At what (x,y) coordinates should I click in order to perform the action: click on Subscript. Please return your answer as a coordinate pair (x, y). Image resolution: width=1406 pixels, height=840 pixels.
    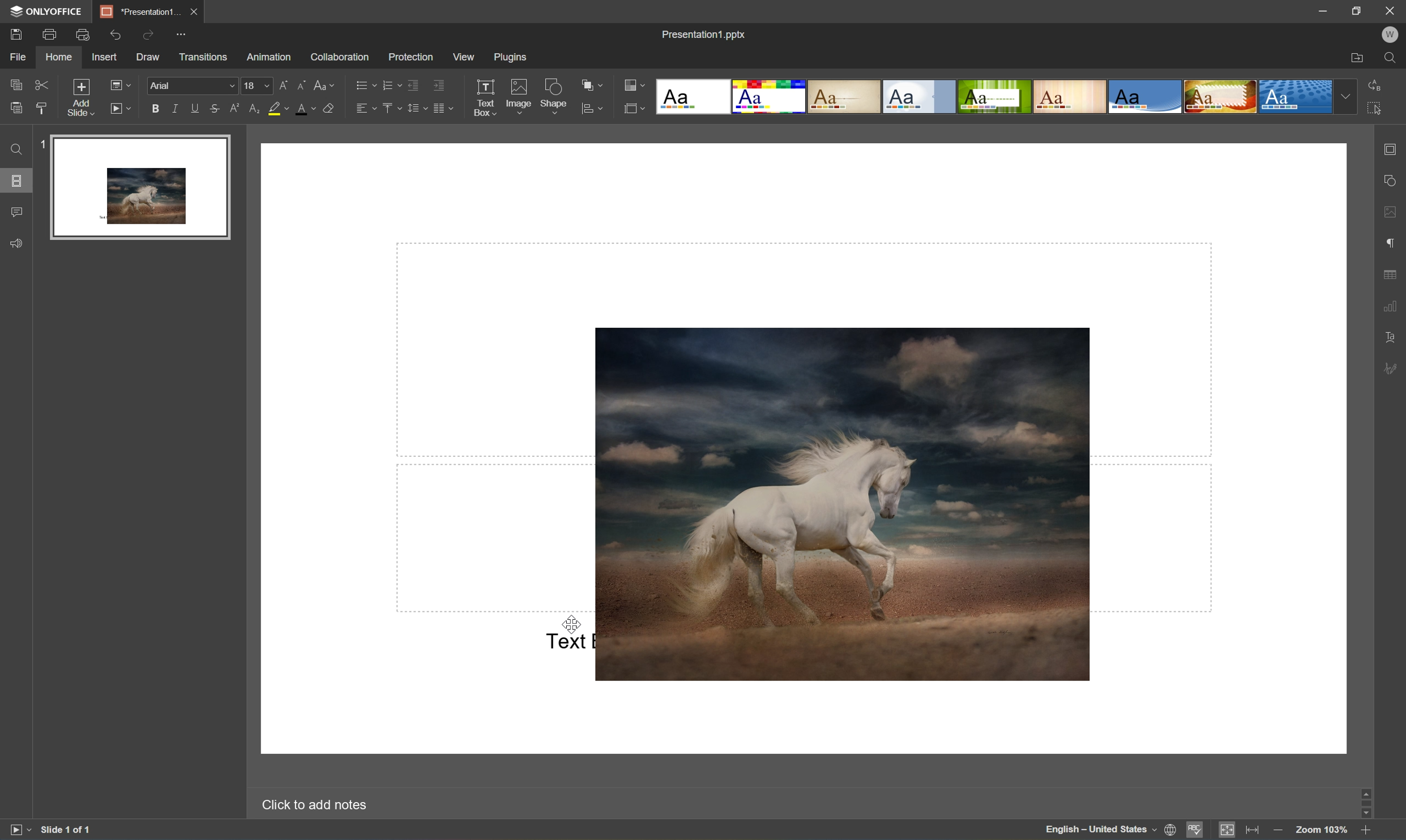
    Looking at the image, I should click on (256, 109).